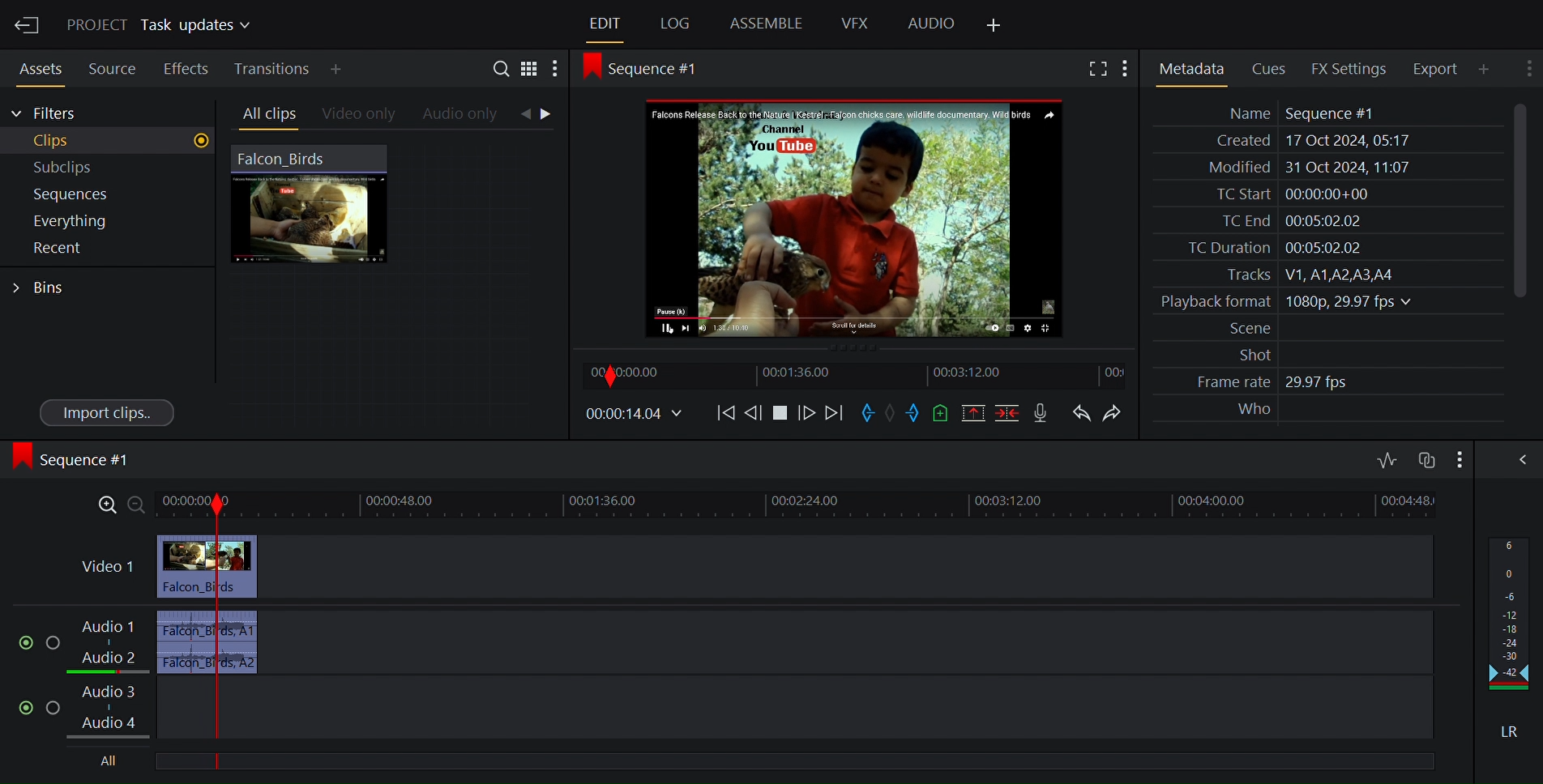 Image resolution: width=1543 pixels, height=784 pixels. Describe the element at coordinates (1515, 201) in the screenshot. I see `Vertical Scrollbar` at that location.